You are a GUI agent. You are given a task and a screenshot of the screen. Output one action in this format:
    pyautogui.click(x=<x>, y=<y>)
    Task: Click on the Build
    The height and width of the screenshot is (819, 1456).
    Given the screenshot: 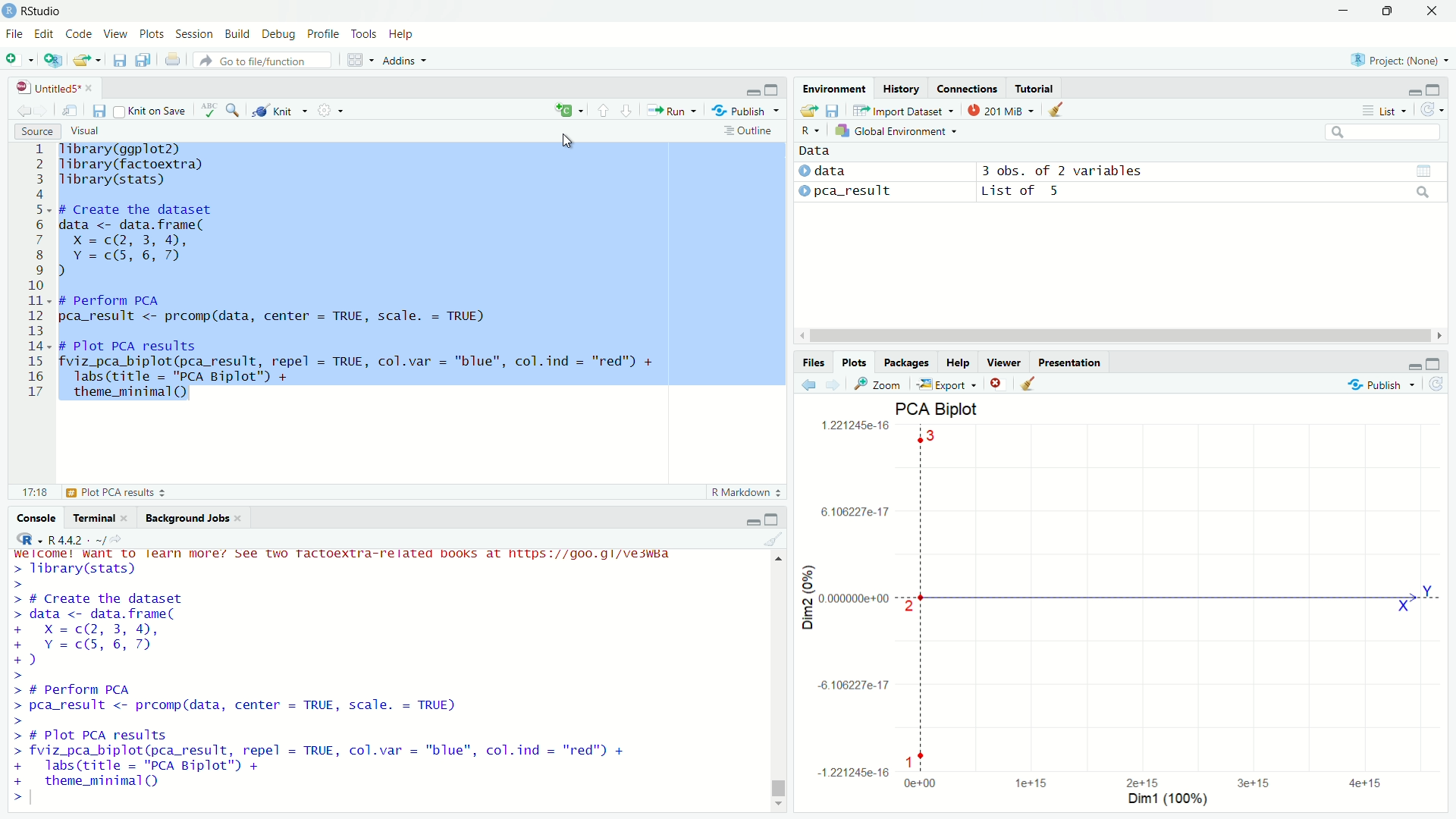 What is the action you would take?
    pyautogui.click(x=238, y=35)
    